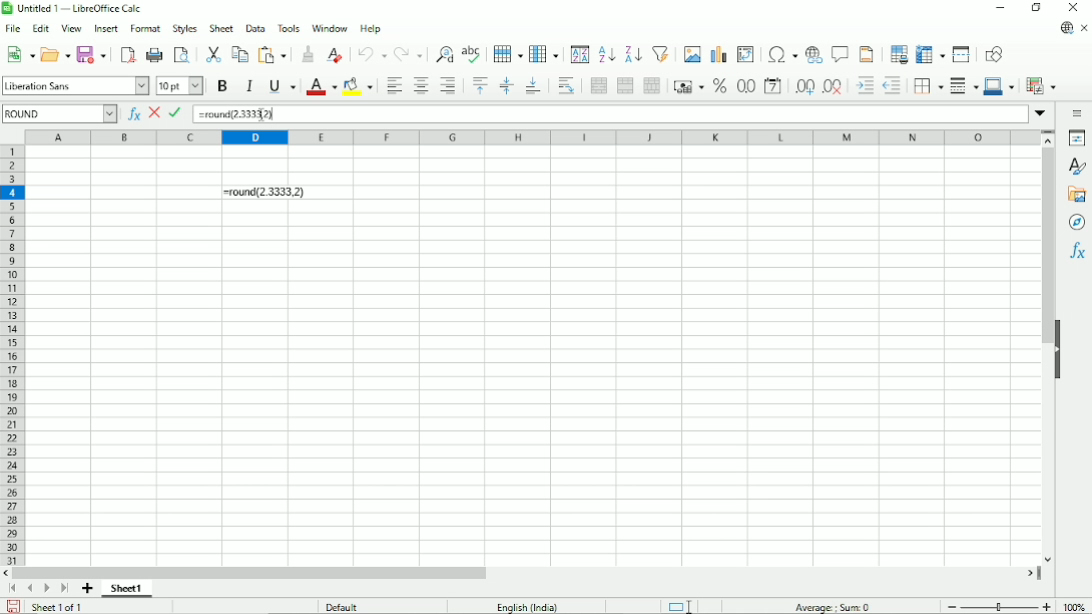 Image resolution: width=1092 pixels, height=614 pixels. I want to click on Style, so click(185, 28).